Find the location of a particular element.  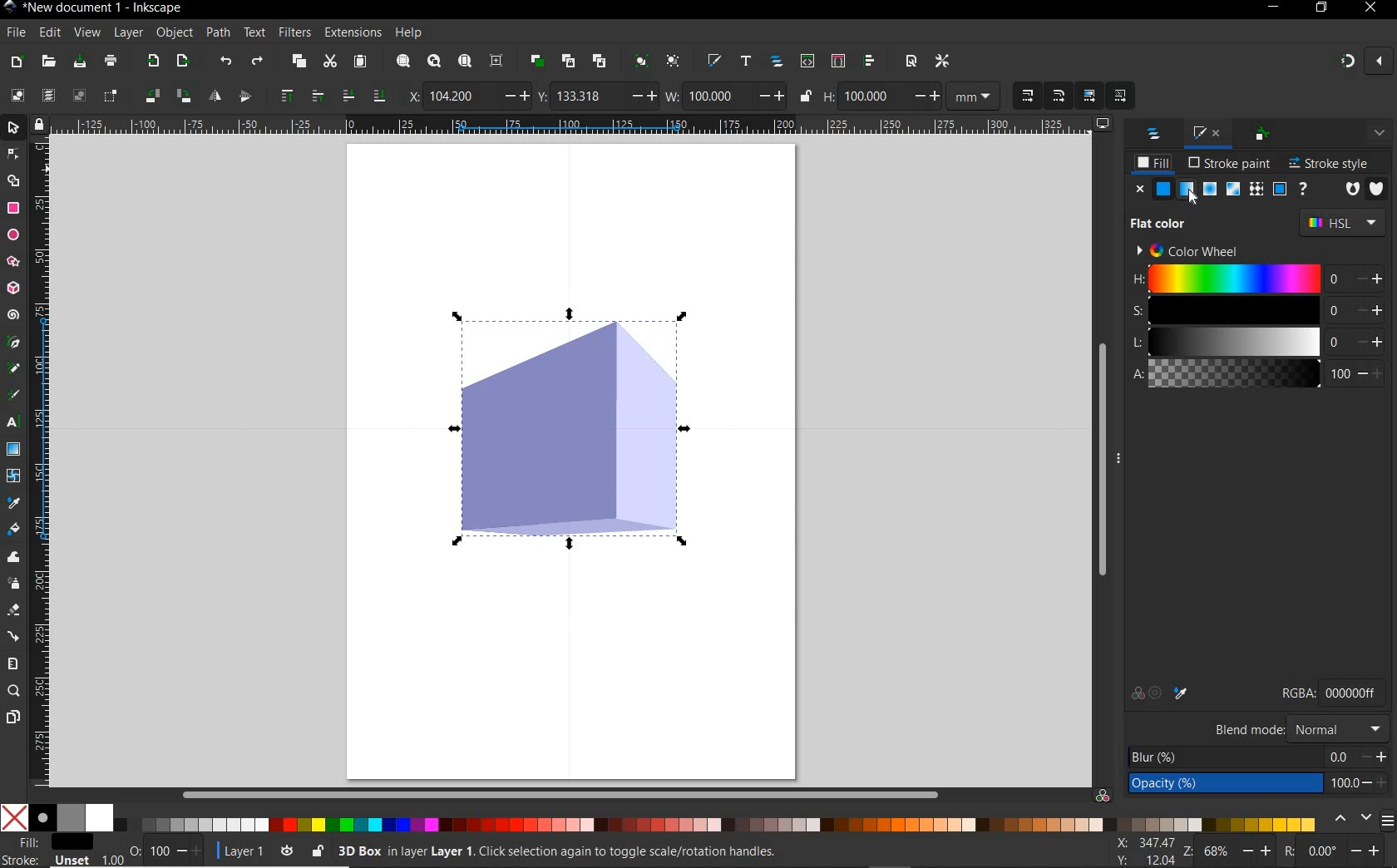

IMPORT is located at coordinates (153, 62).